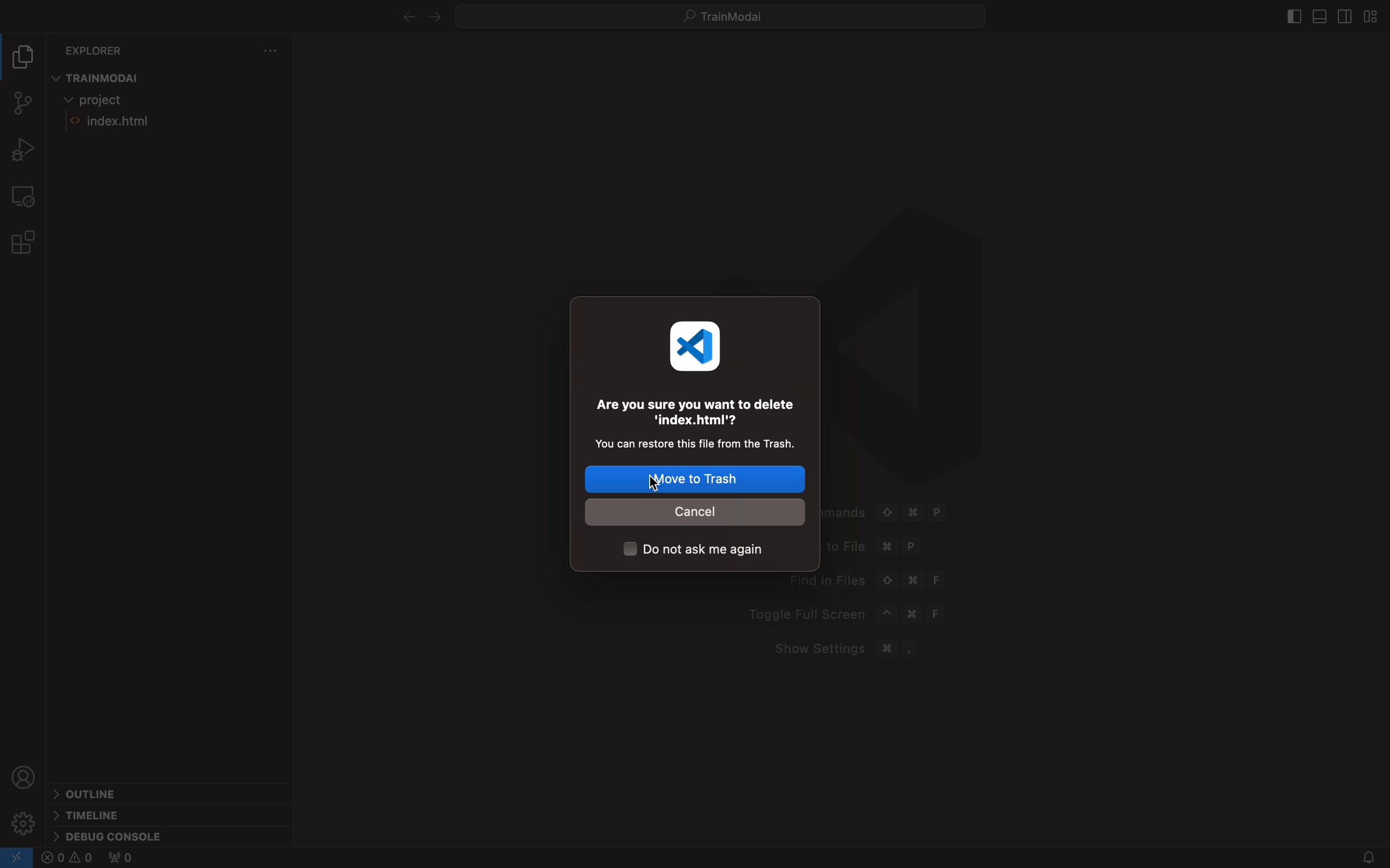 The image size is (1390, 868). Describe the element at coordinates (849, 612) in the screenshot. I see `Toggle` at that location.